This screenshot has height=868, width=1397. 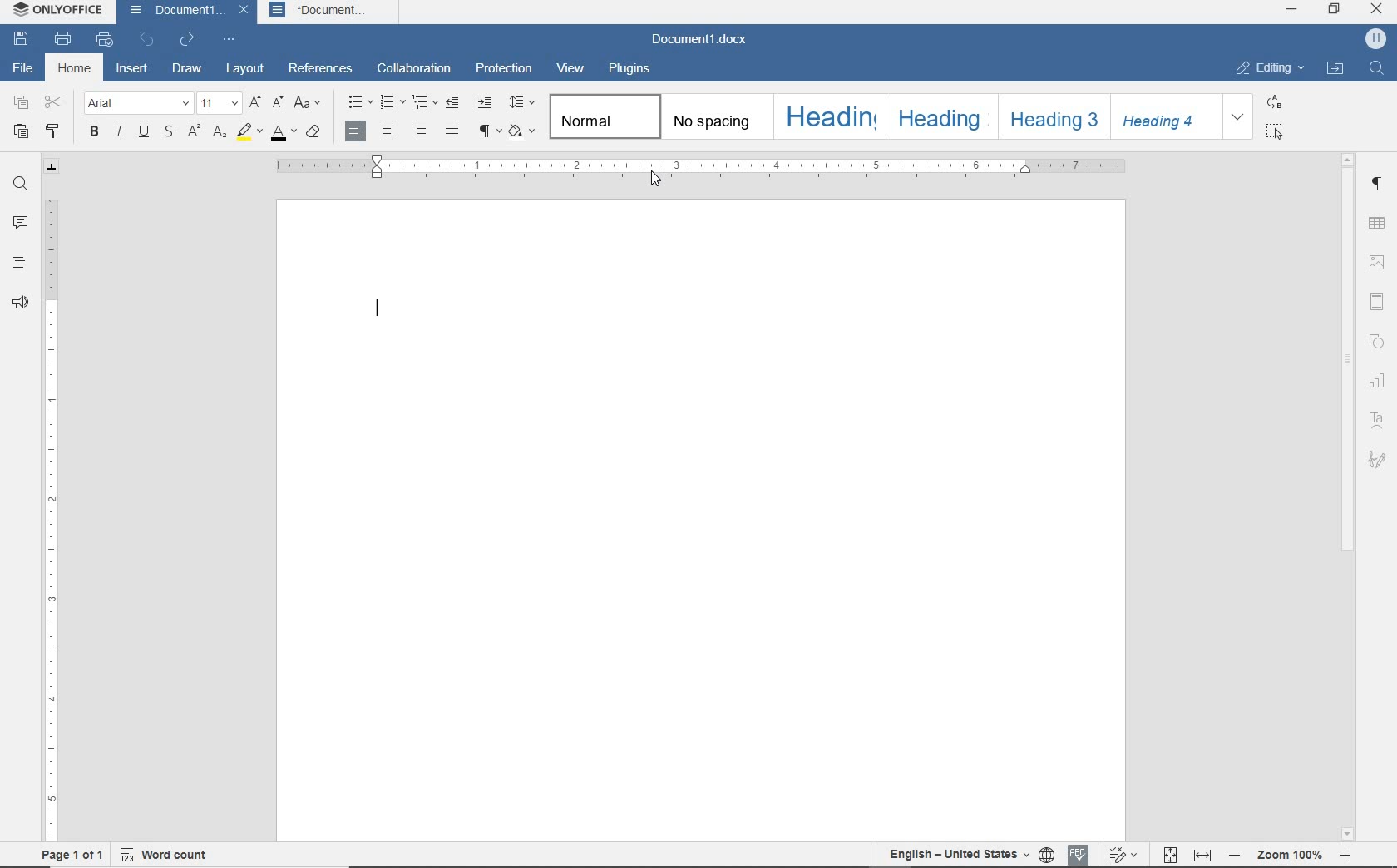 I want to click on SAVE, so click(x=22, y=40).